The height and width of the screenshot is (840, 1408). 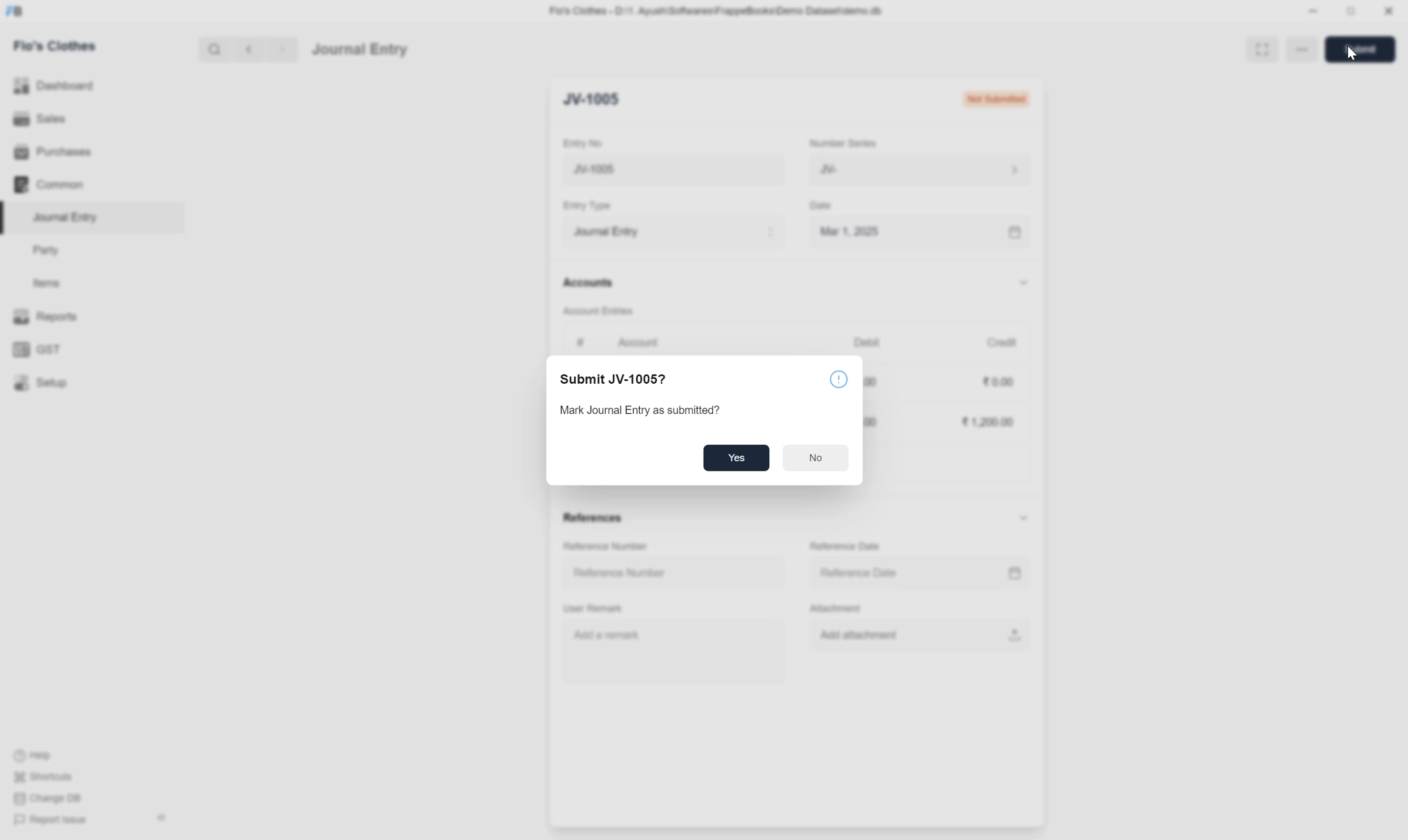 What do you see at coordinates (640, 342) in the screenshot?
I see `Account` at bounding box center [640, 342].